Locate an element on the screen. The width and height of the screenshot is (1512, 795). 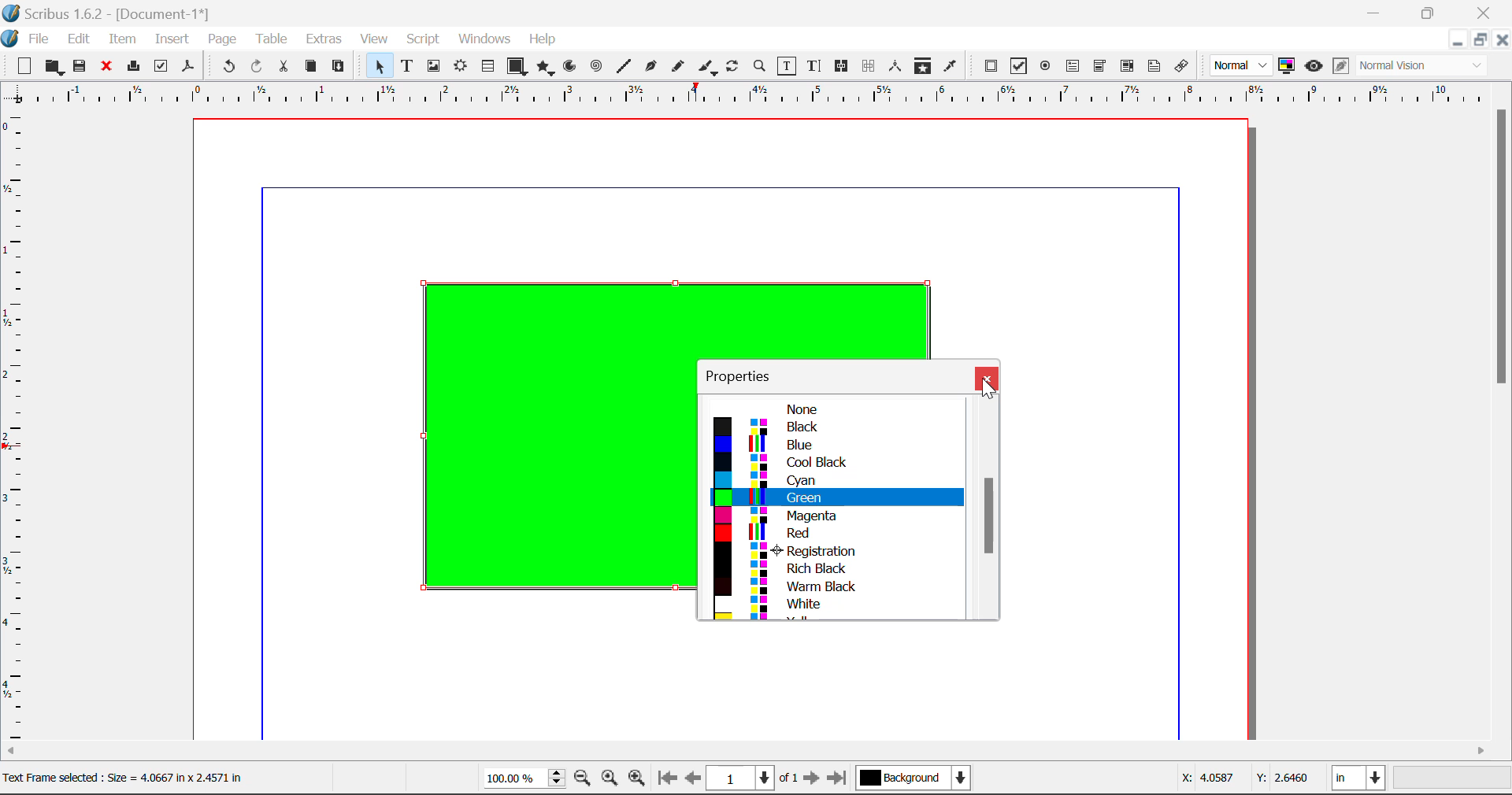
Close is located at coordinates (1503, 39).